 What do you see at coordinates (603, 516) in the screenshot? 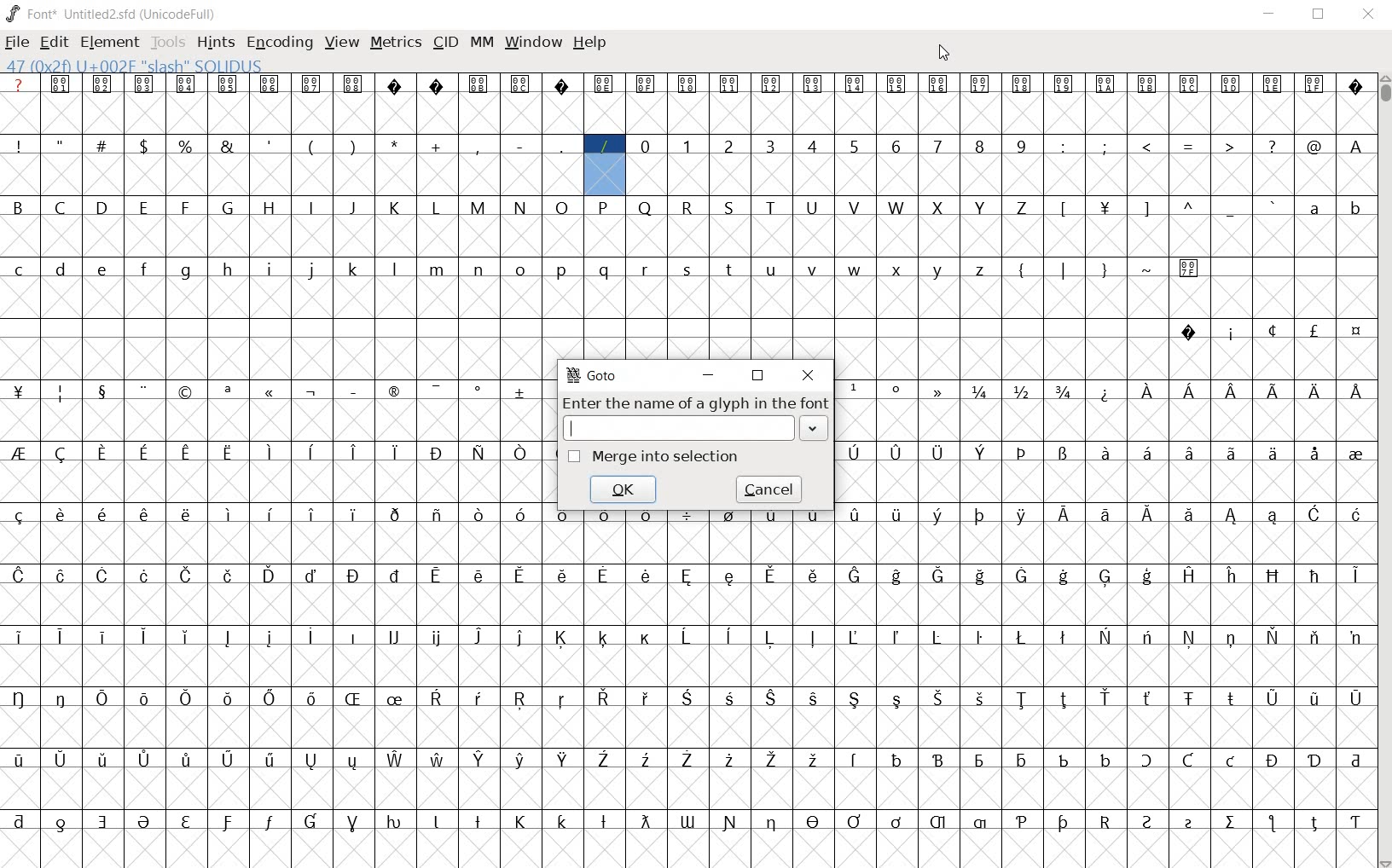
I see `glyph` at bounding box center [603, 516].